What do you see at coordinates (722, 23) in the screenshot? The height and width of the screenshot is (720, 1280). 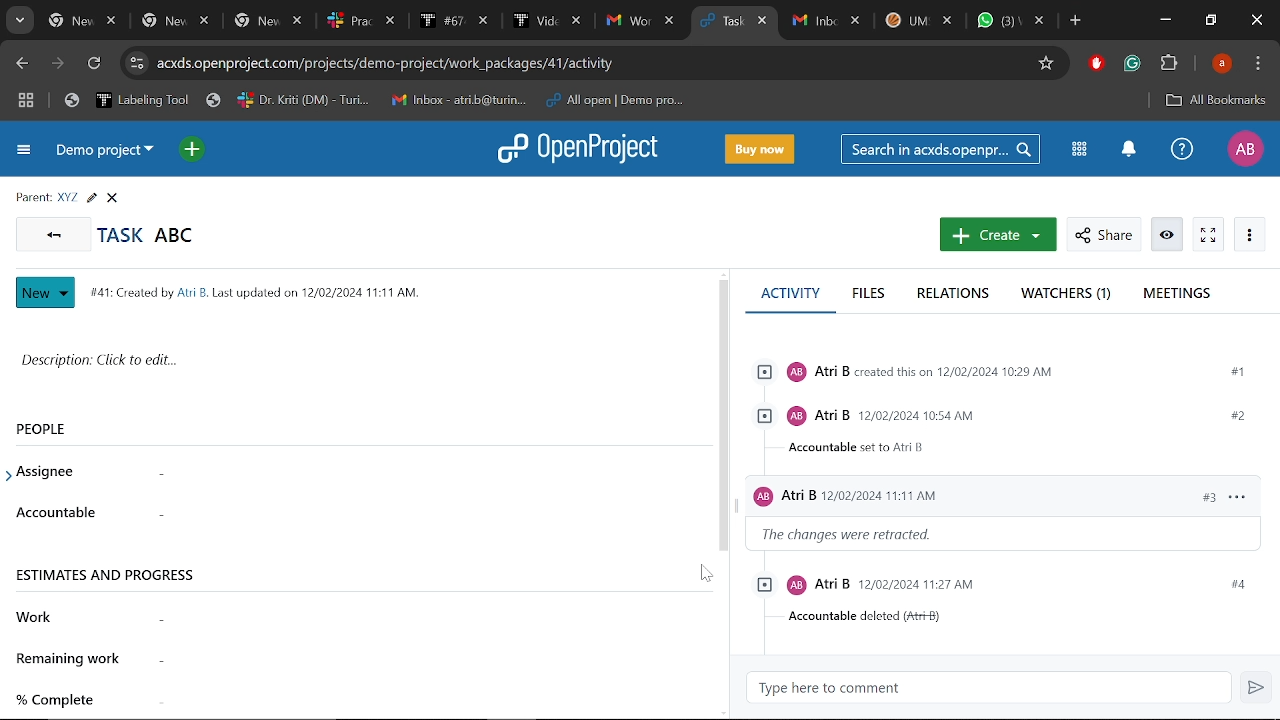 I see `Current tab` at bounding box center [722, 23].